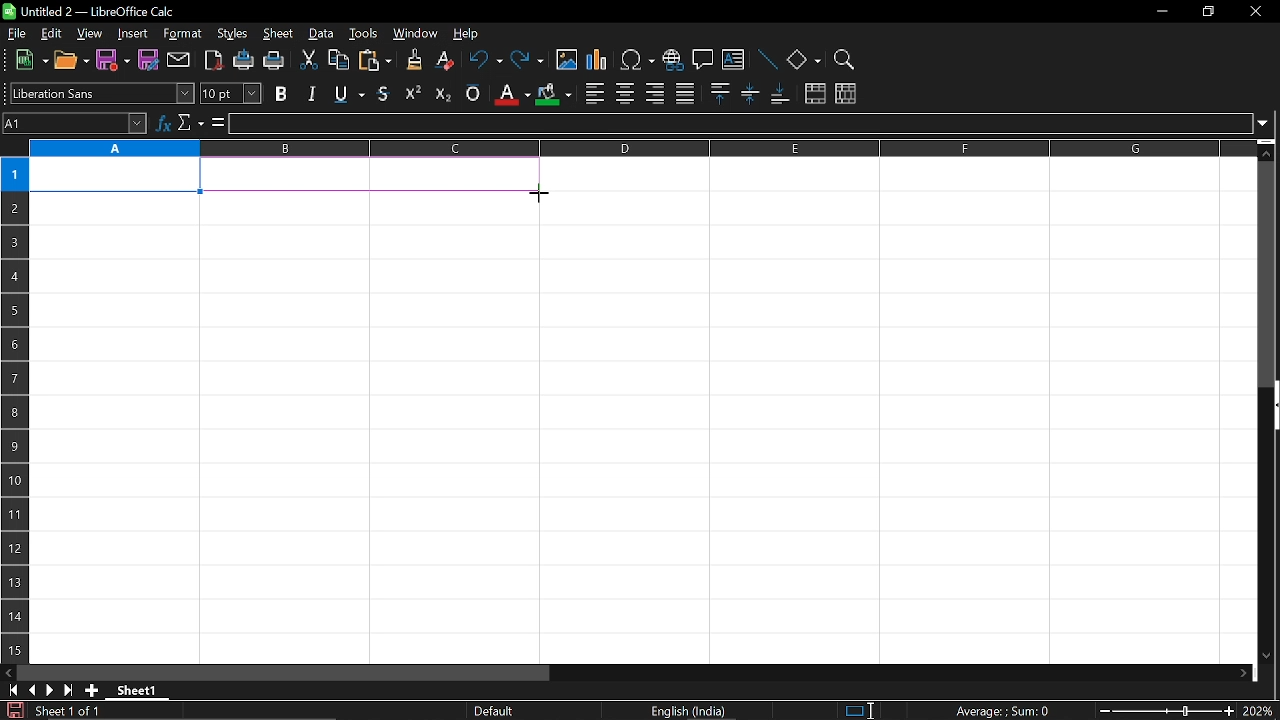 This screenshot has width=1280, height=720. Describe the element at coordinates (163, 124) in the screenshot. I see `function wizard` at that location.